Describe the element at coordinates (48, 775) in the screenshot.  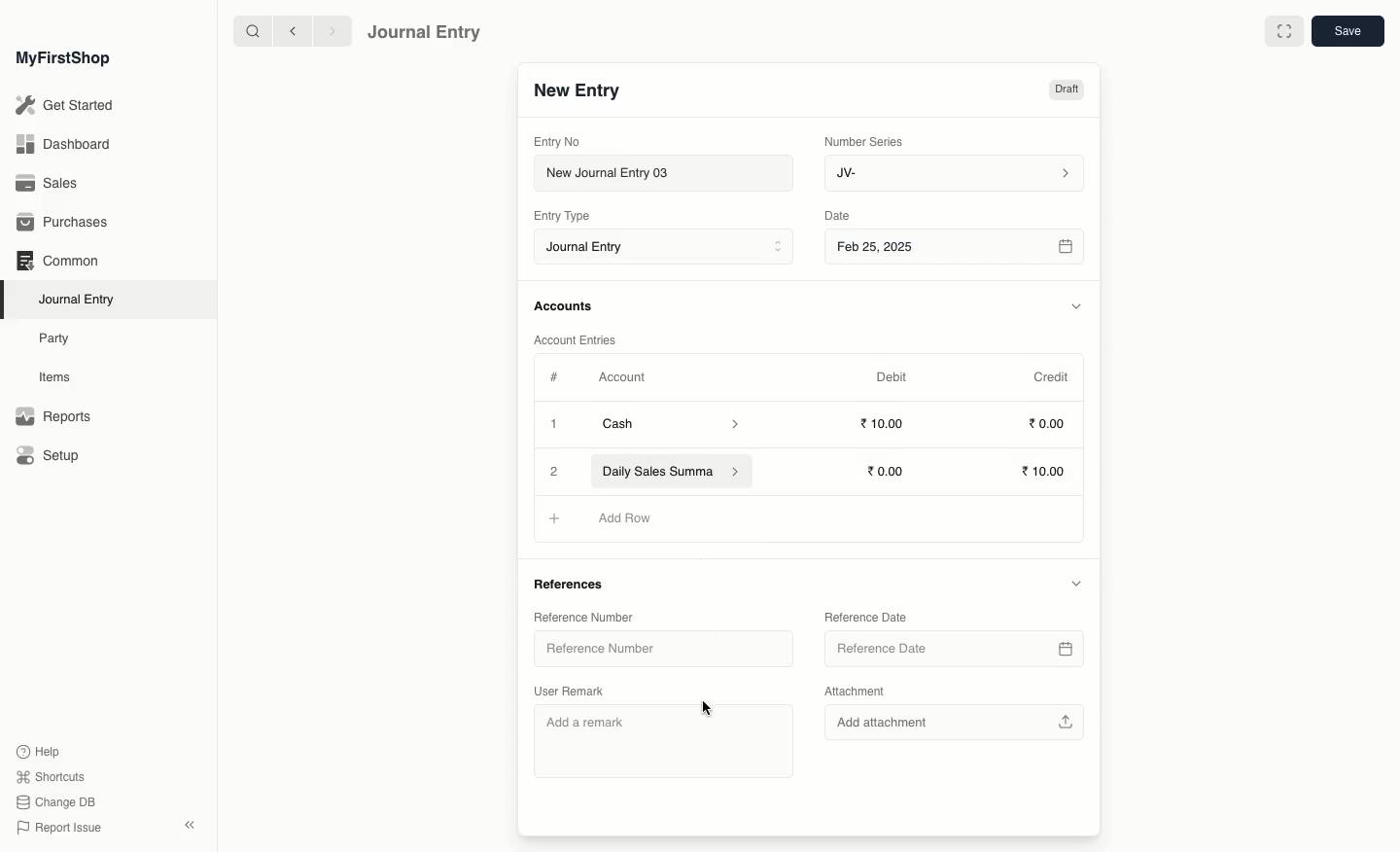
I see `Shortcuts` at that location.